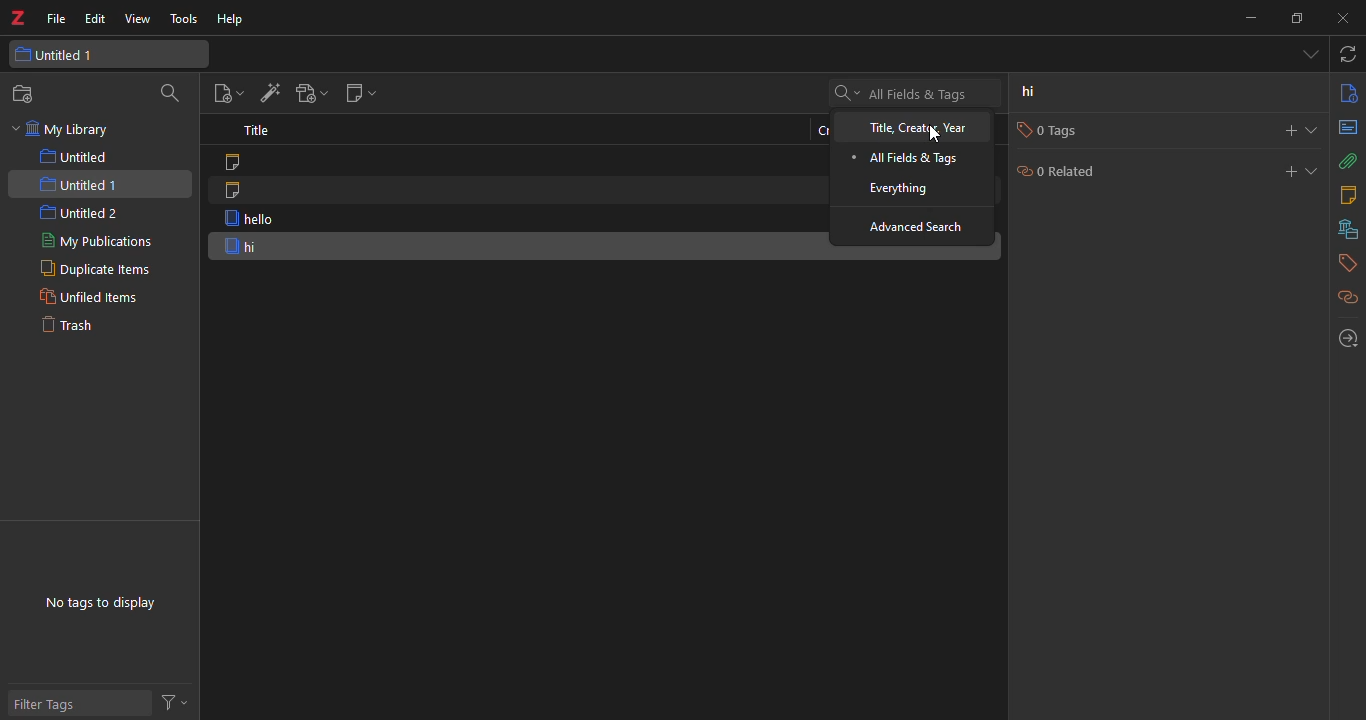 The image size is (1366, 720). Describe the element at coordinates (101, 240) in the screenshot. I see `my publications` at that location.